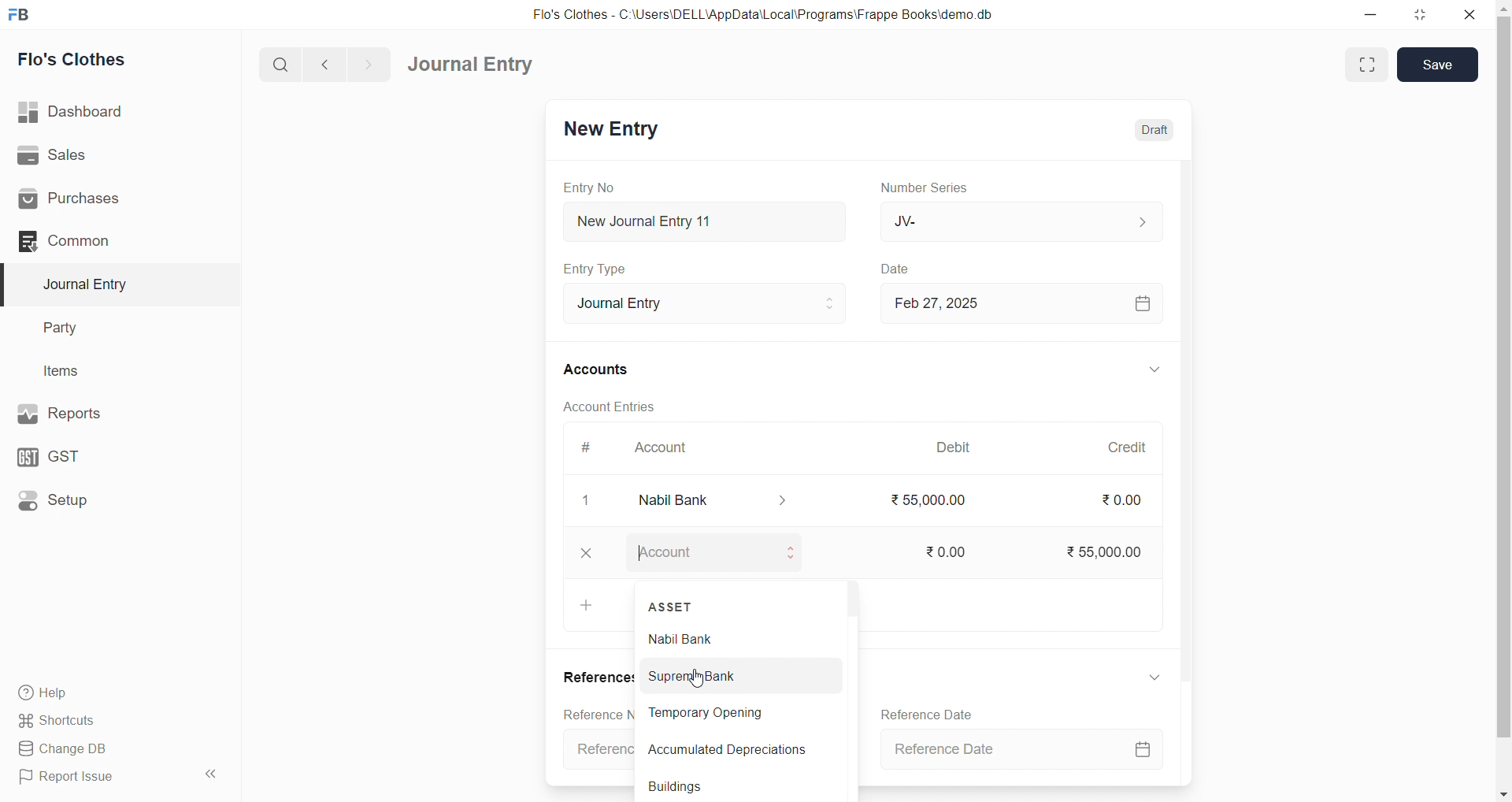 The height and width of the screenshot is (802, 1512). Describe the element at coordinates (80, 59) in the screenshot. I see `Flo's Clothes` at that location.